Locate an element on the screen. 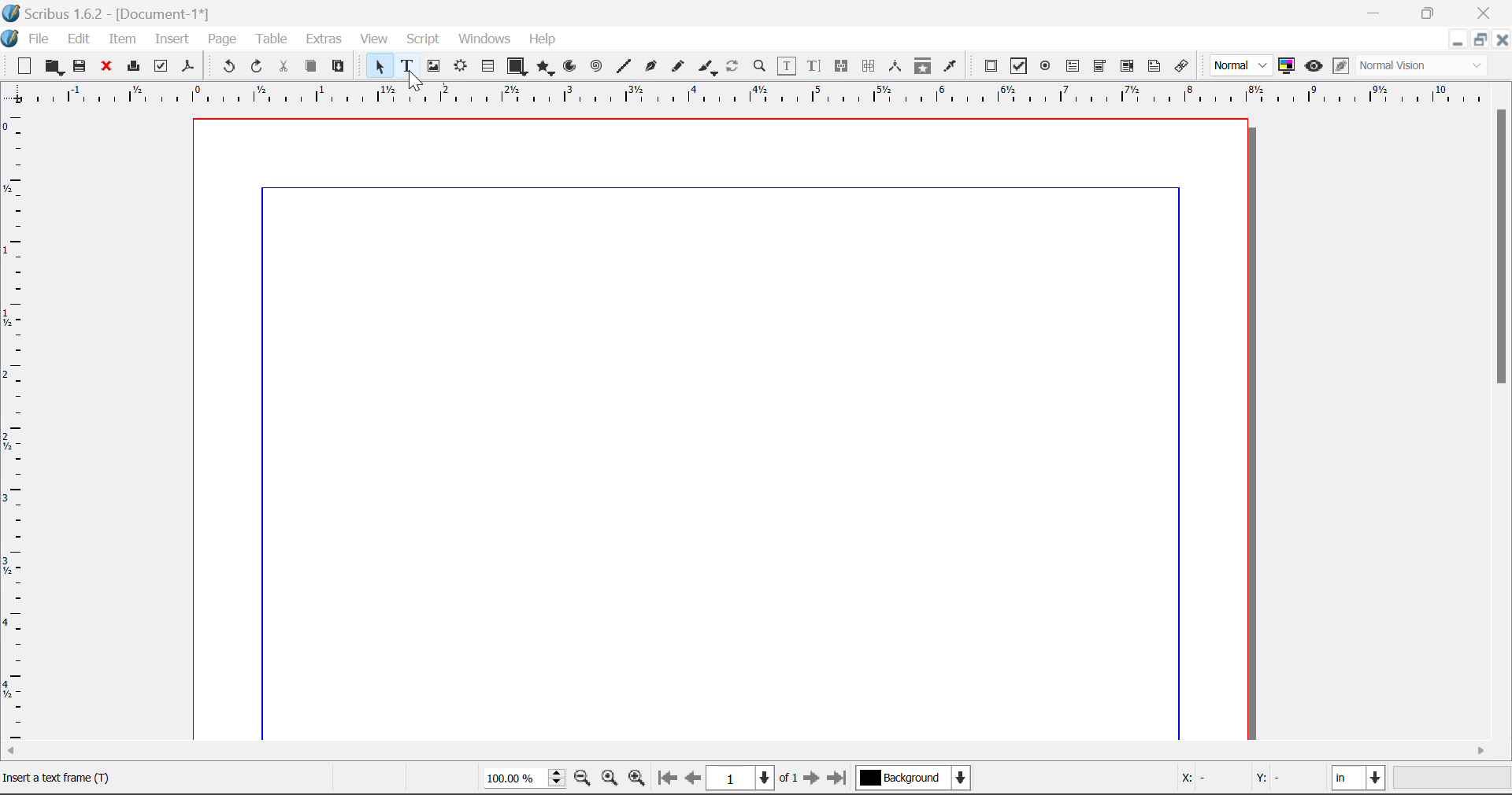 The height and width of the screenshot is (795, 1512). Undo is located at coordinates (226, 67).